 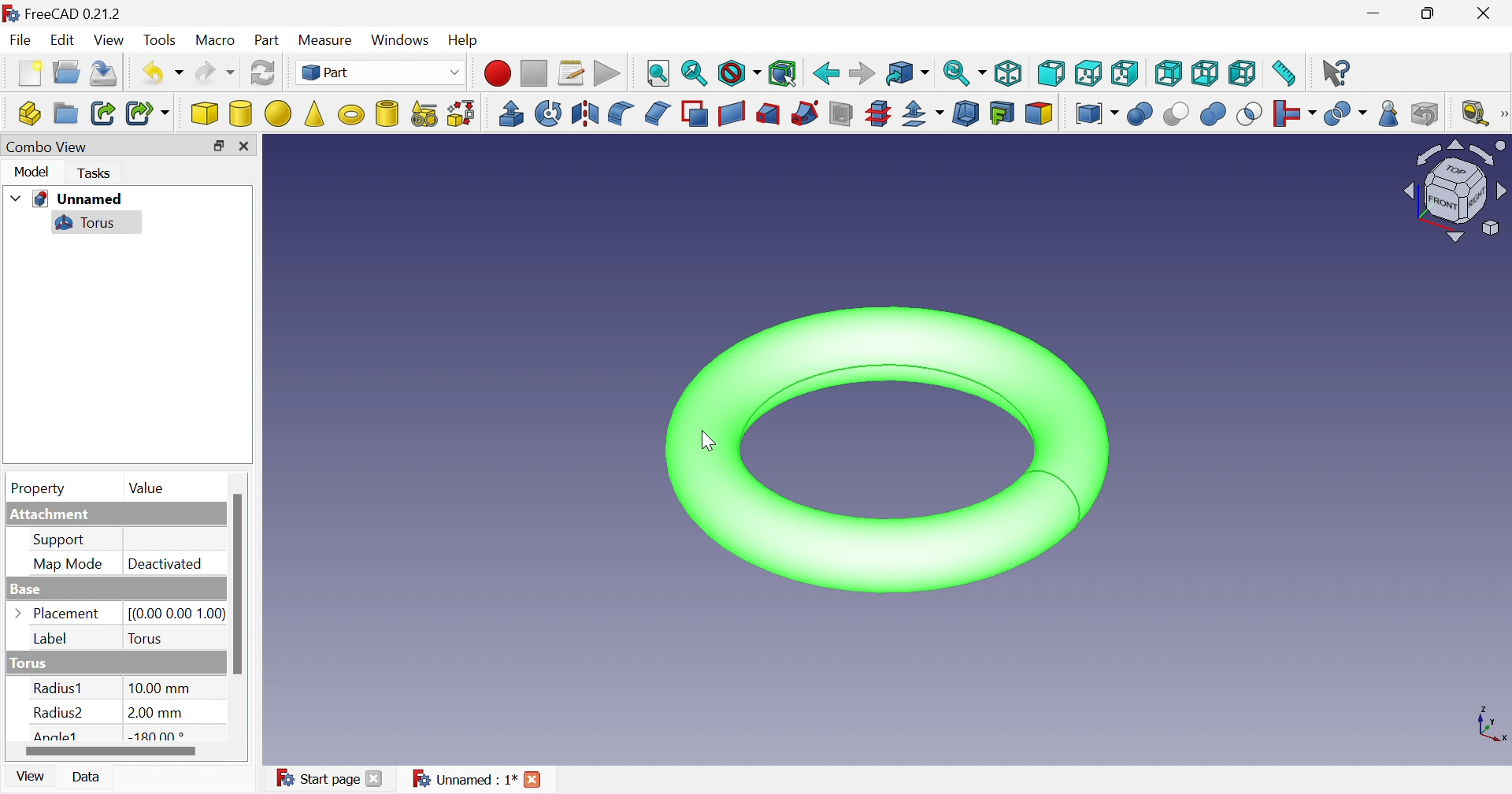 I want to click on Sweep, so click(x=807, y=113).